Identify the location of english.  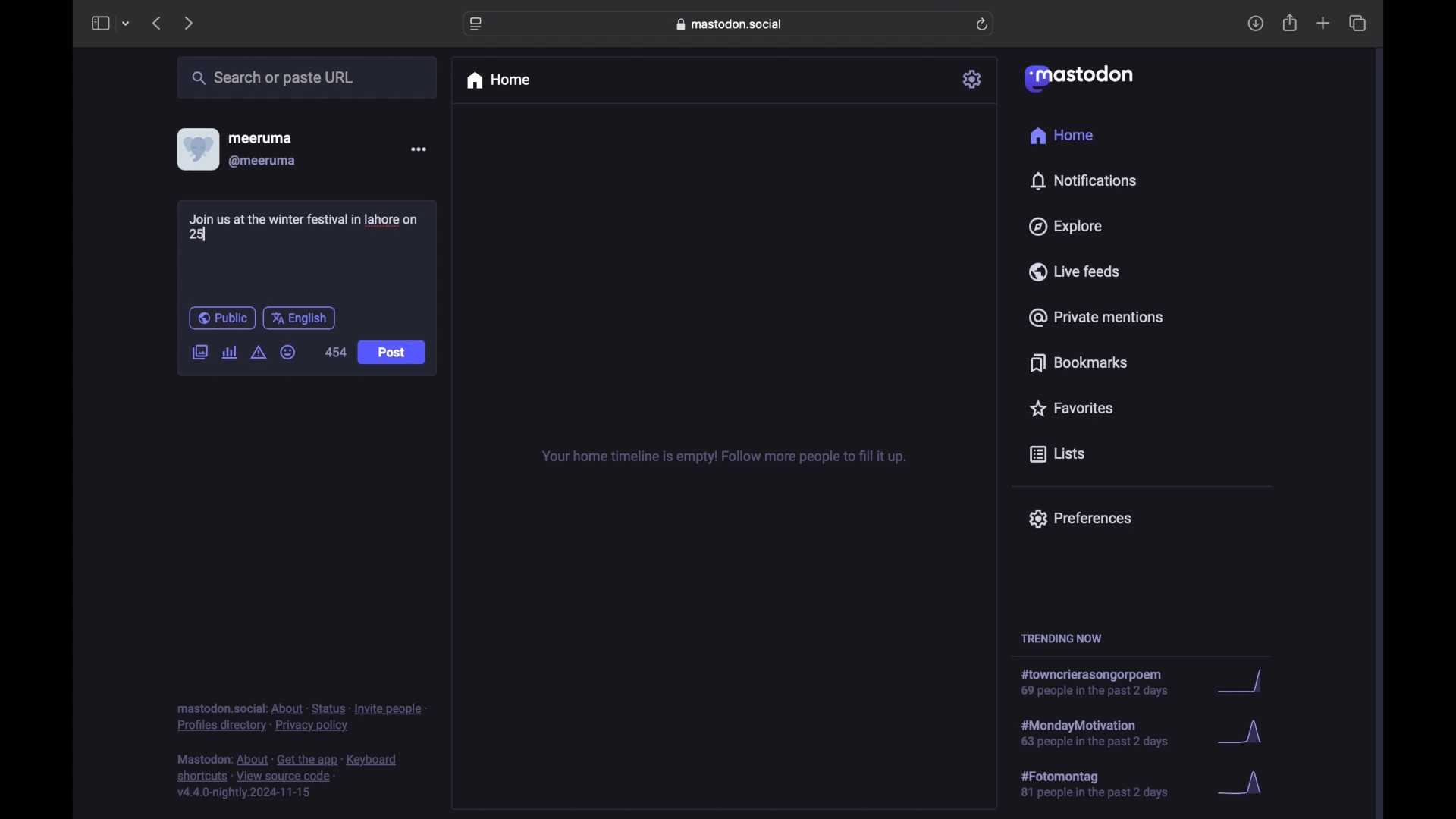
(300, 318).